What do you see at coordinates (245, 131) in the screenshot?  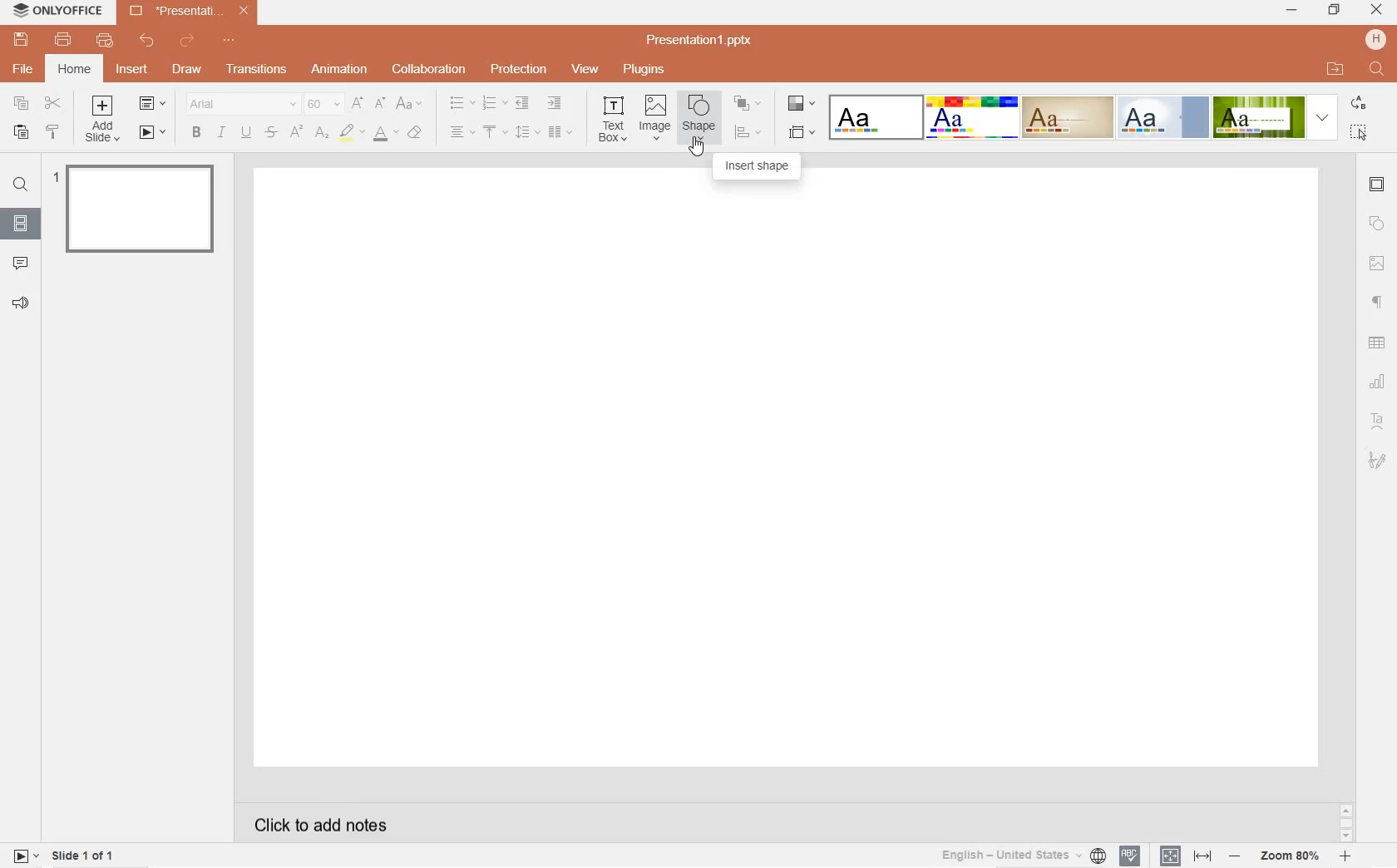 I see `underline` at bounding box center [245, 131].